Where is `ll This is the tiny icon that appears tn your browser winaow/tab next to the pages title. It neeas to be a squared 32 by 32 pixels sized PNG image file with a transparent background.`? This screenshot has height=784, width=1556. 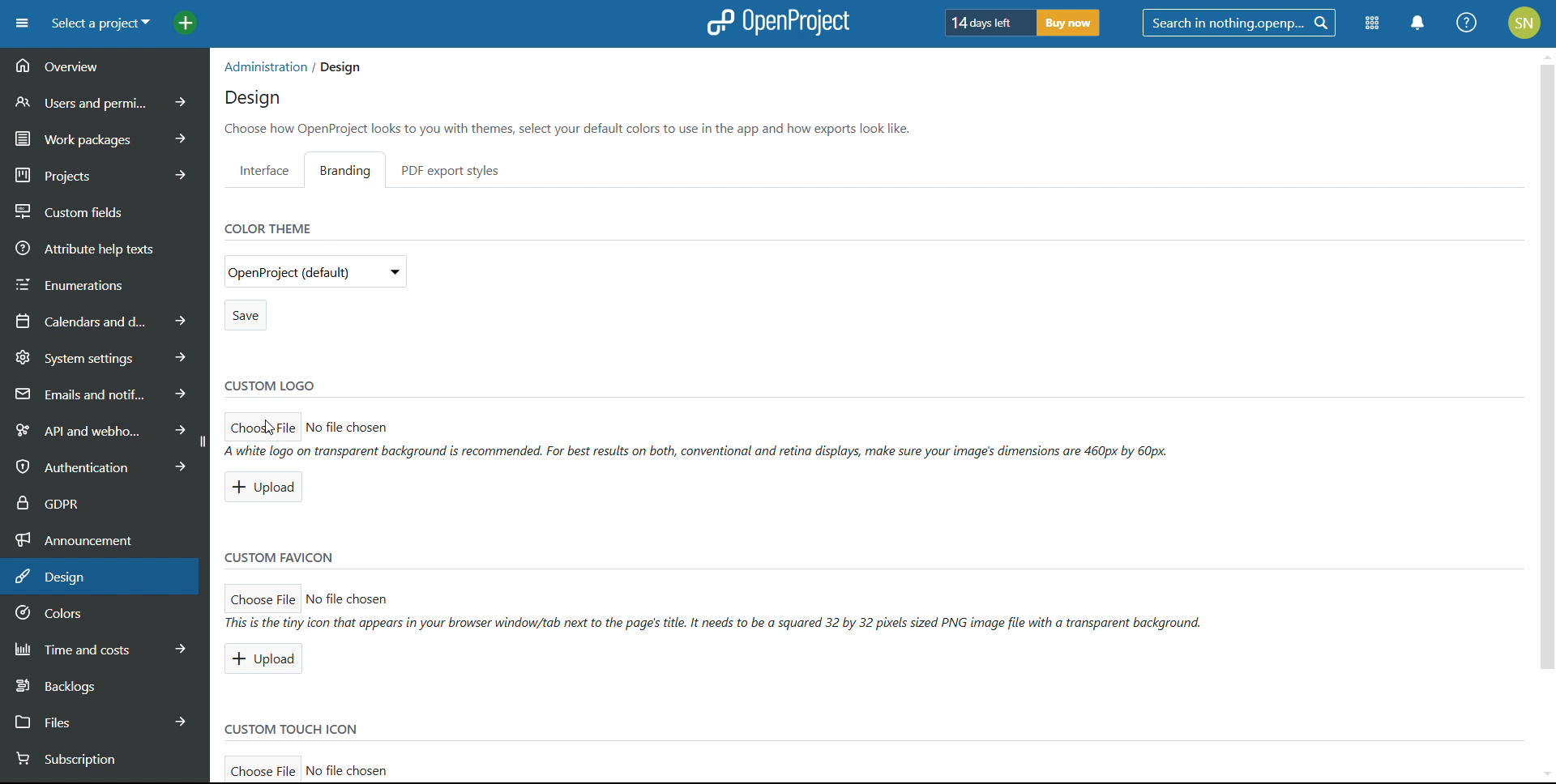 ll This is the tiny icon that appears tn your browser winaow/tab next to the pages title. It neeas to be a squared 32 by 32 pixels sized PNG image file with a transparent background. is located at coordinates (721, 624).